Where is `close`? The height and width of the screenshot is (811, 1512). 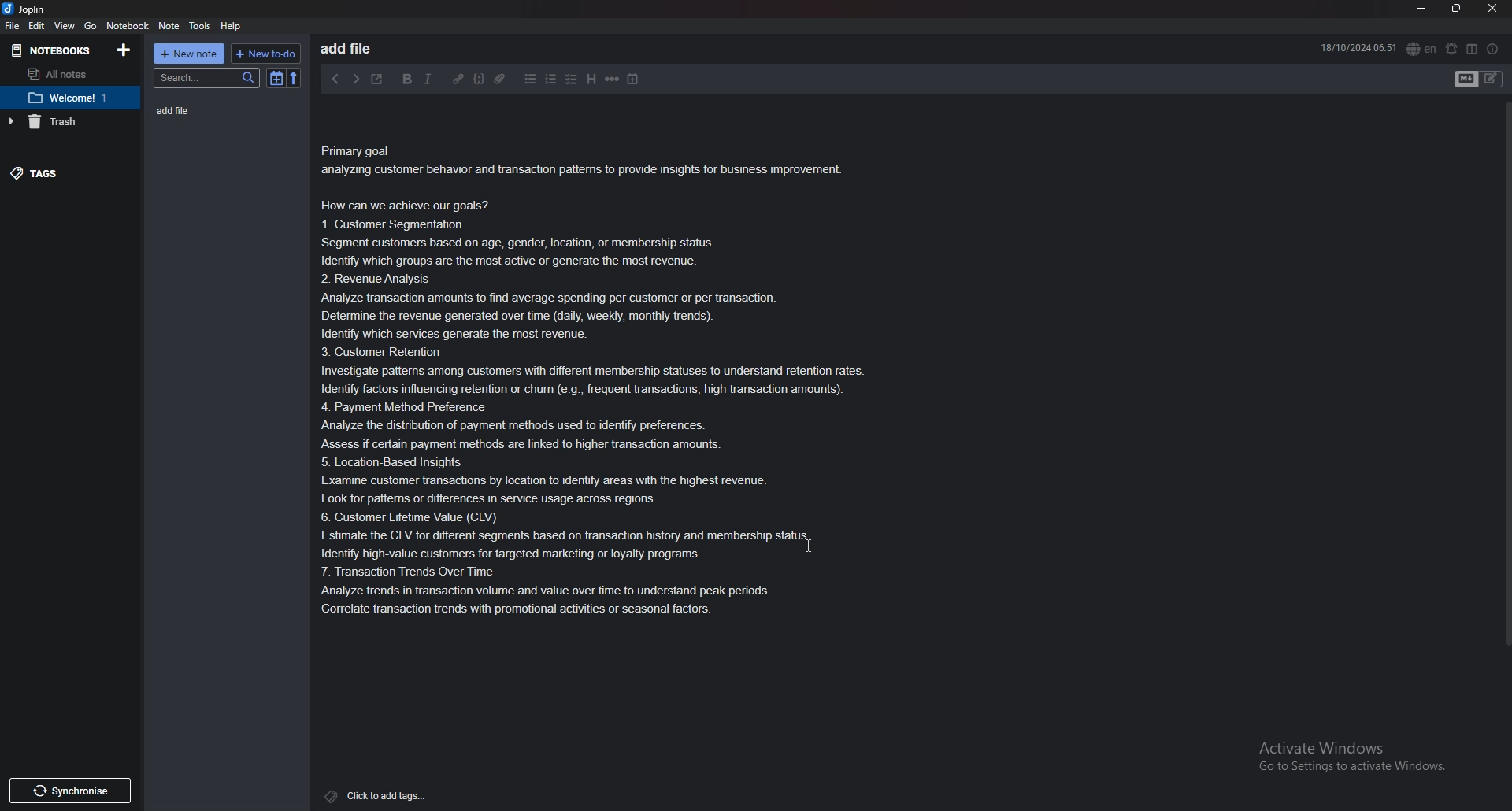
close is located at coordinates (1494, 8).